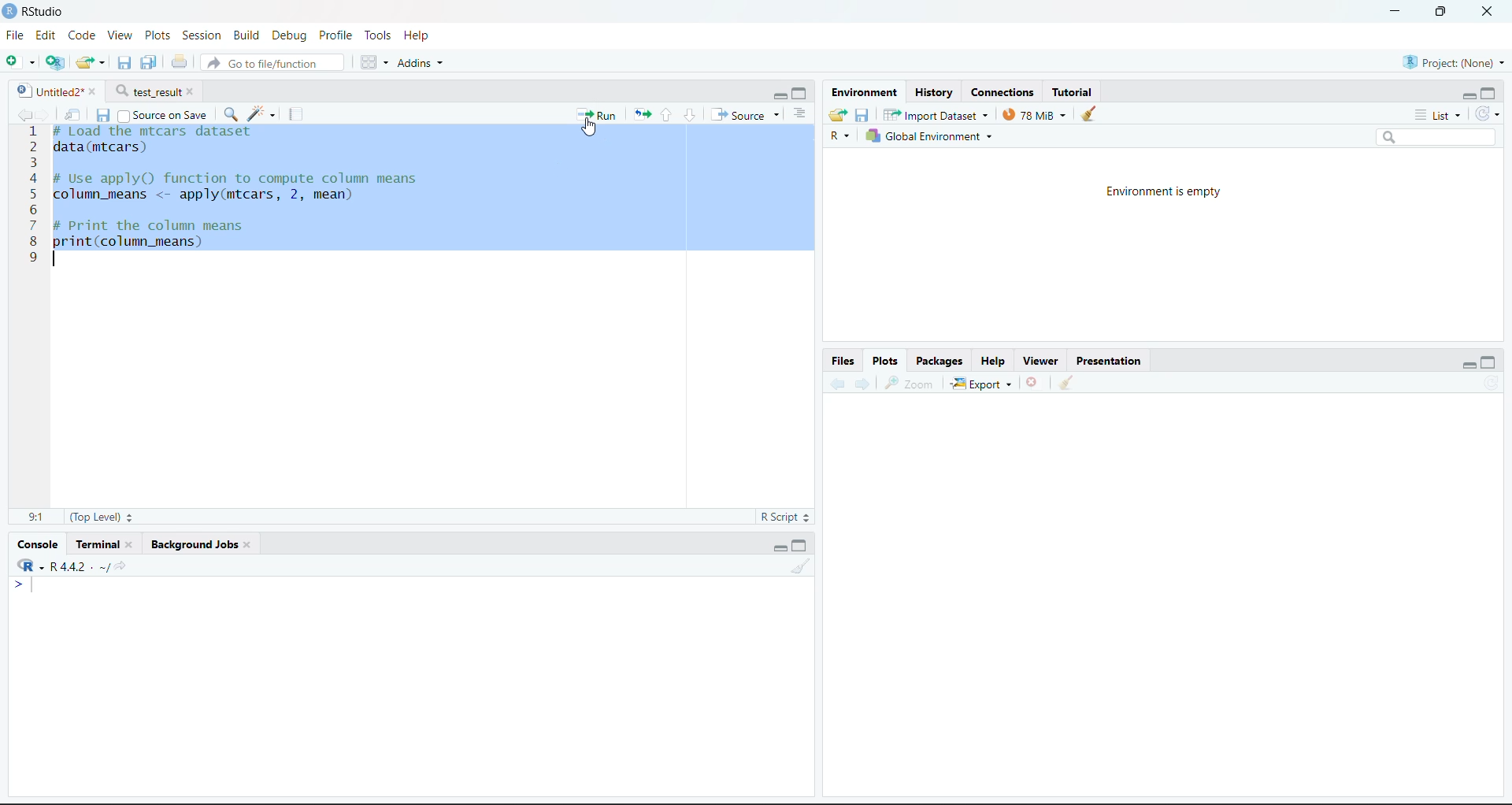  I want to click on Presentation, so click(1109, 358).